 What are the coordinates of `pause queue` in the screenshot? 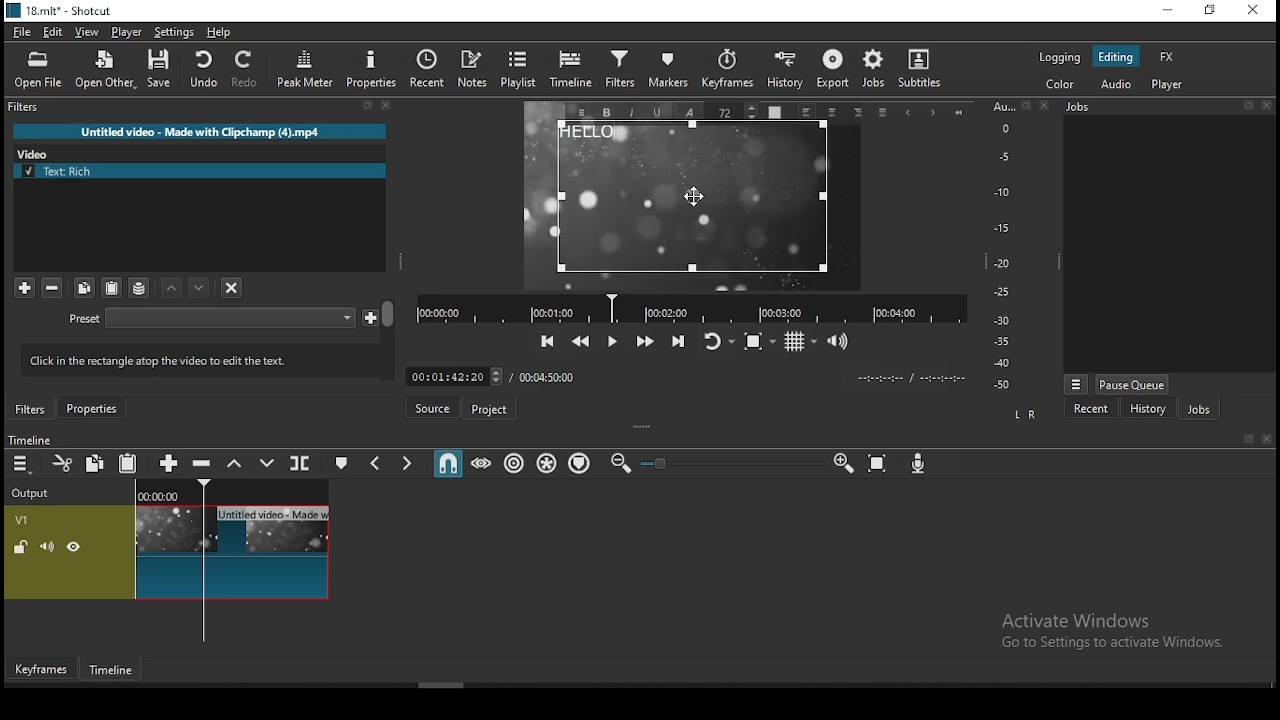 It's located at (1133, 384).